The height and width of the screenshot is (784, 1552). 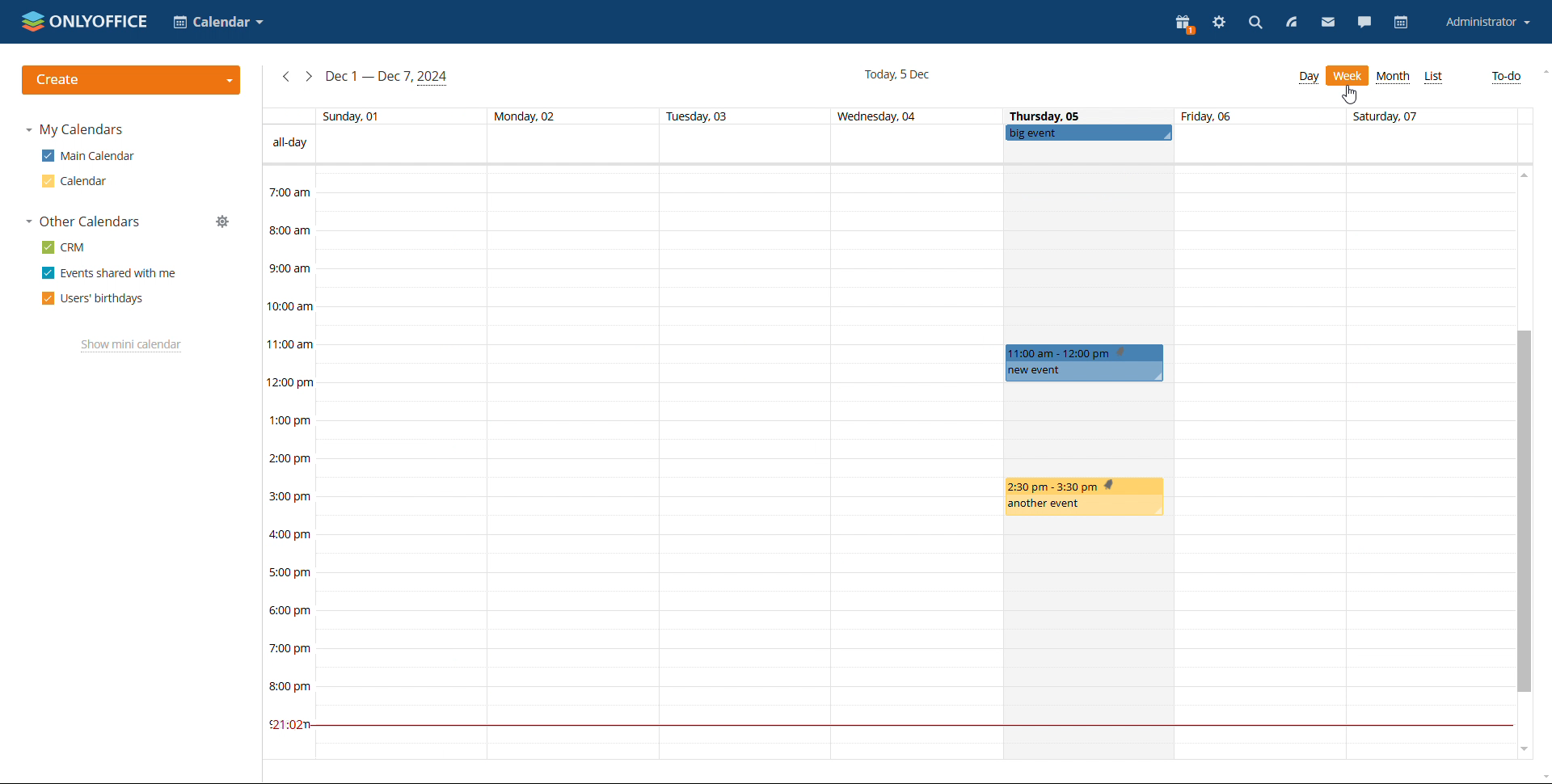 What do you see at coordinates (387, 463) in the screenshot?
I see `events in a whole day` at bounding box center [387, 463].